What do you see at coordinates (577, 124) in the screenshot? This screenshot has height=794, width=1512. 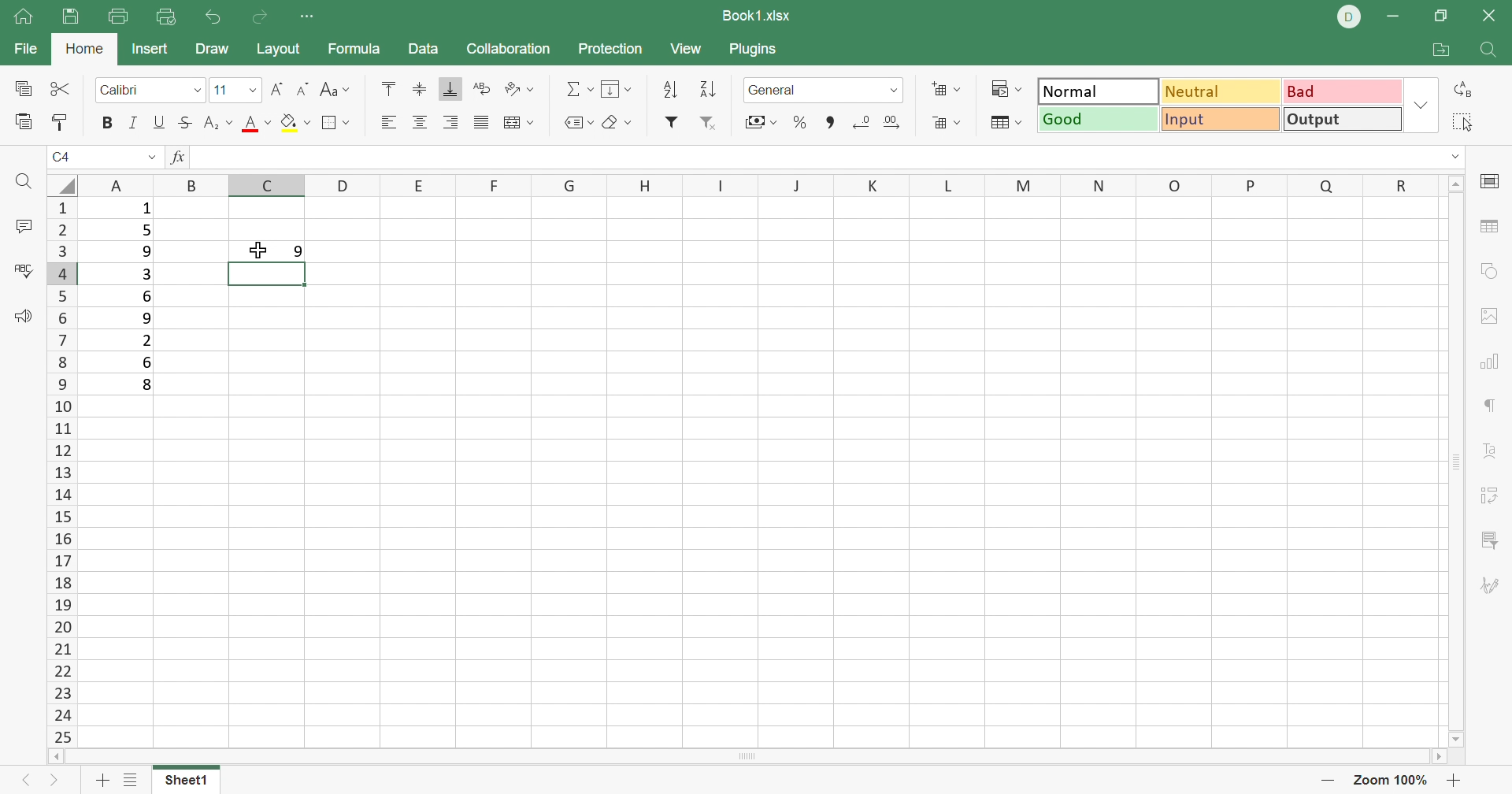 I see `Named ranges` at bounding box center [577, 124].